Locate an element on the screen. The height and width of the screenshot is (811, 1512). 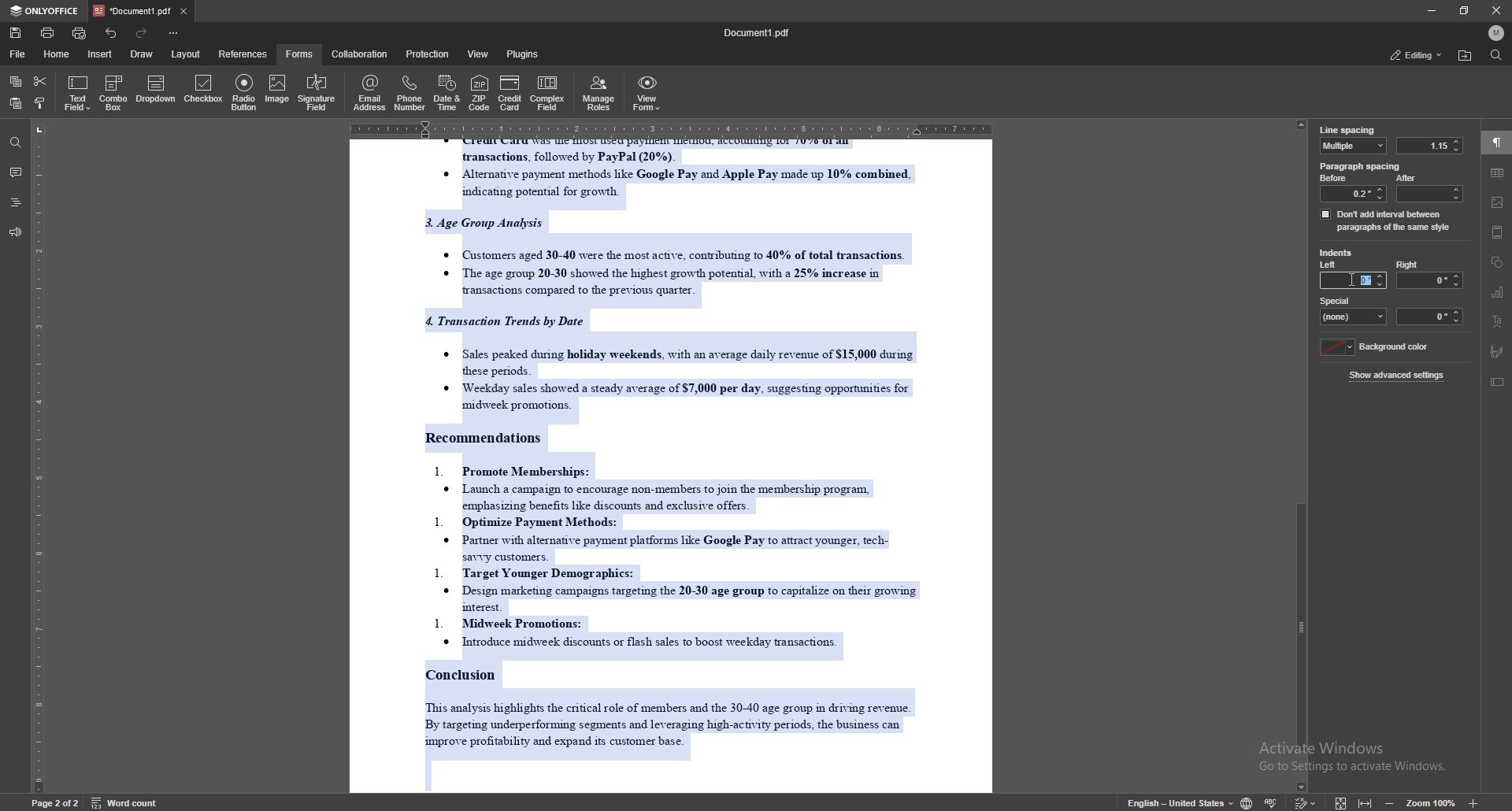
track change is located at coordinates (1306, 801).